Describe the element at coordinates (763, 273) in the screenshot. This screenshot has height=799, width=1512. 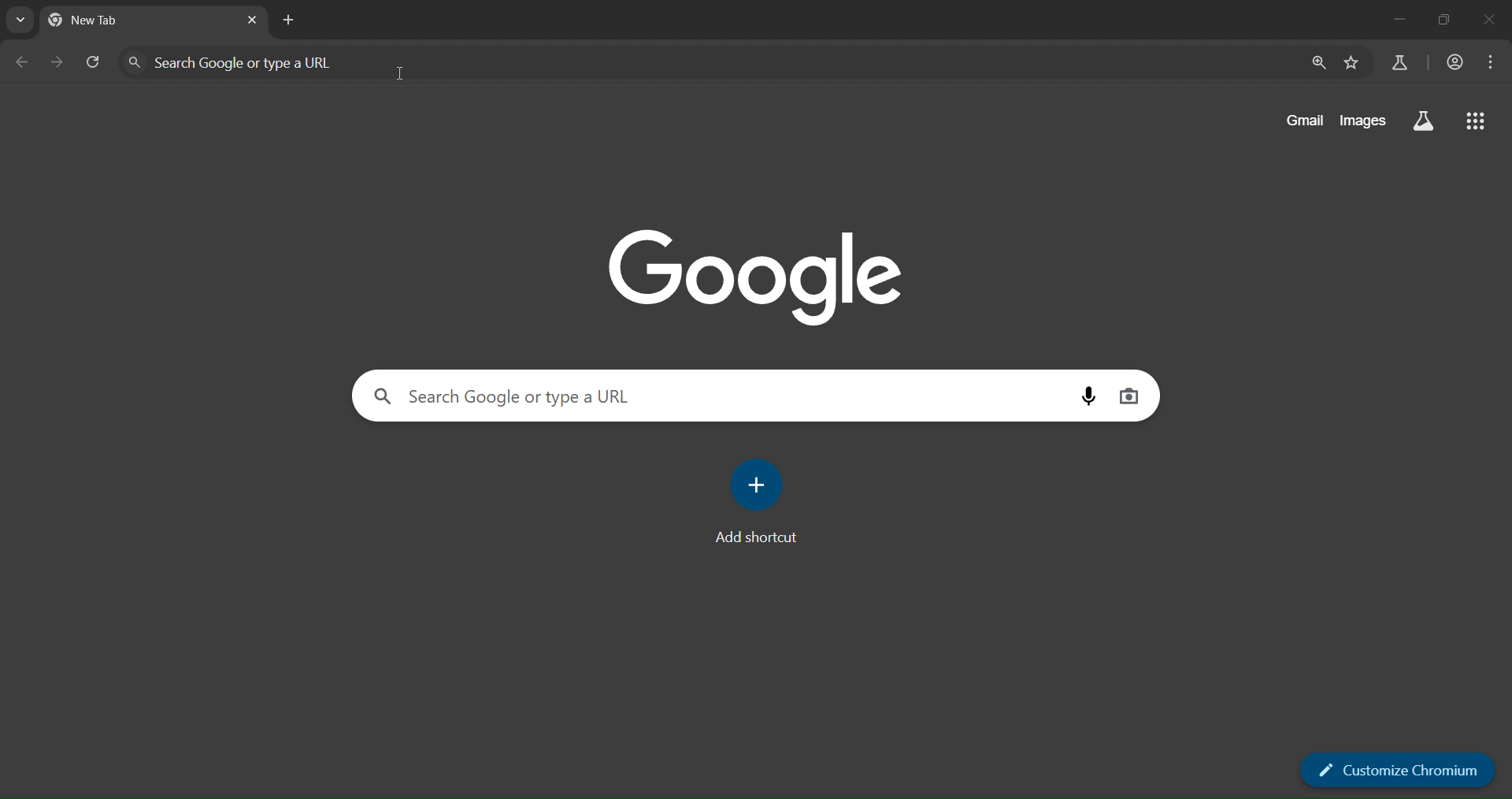
I see `google ` at that location.